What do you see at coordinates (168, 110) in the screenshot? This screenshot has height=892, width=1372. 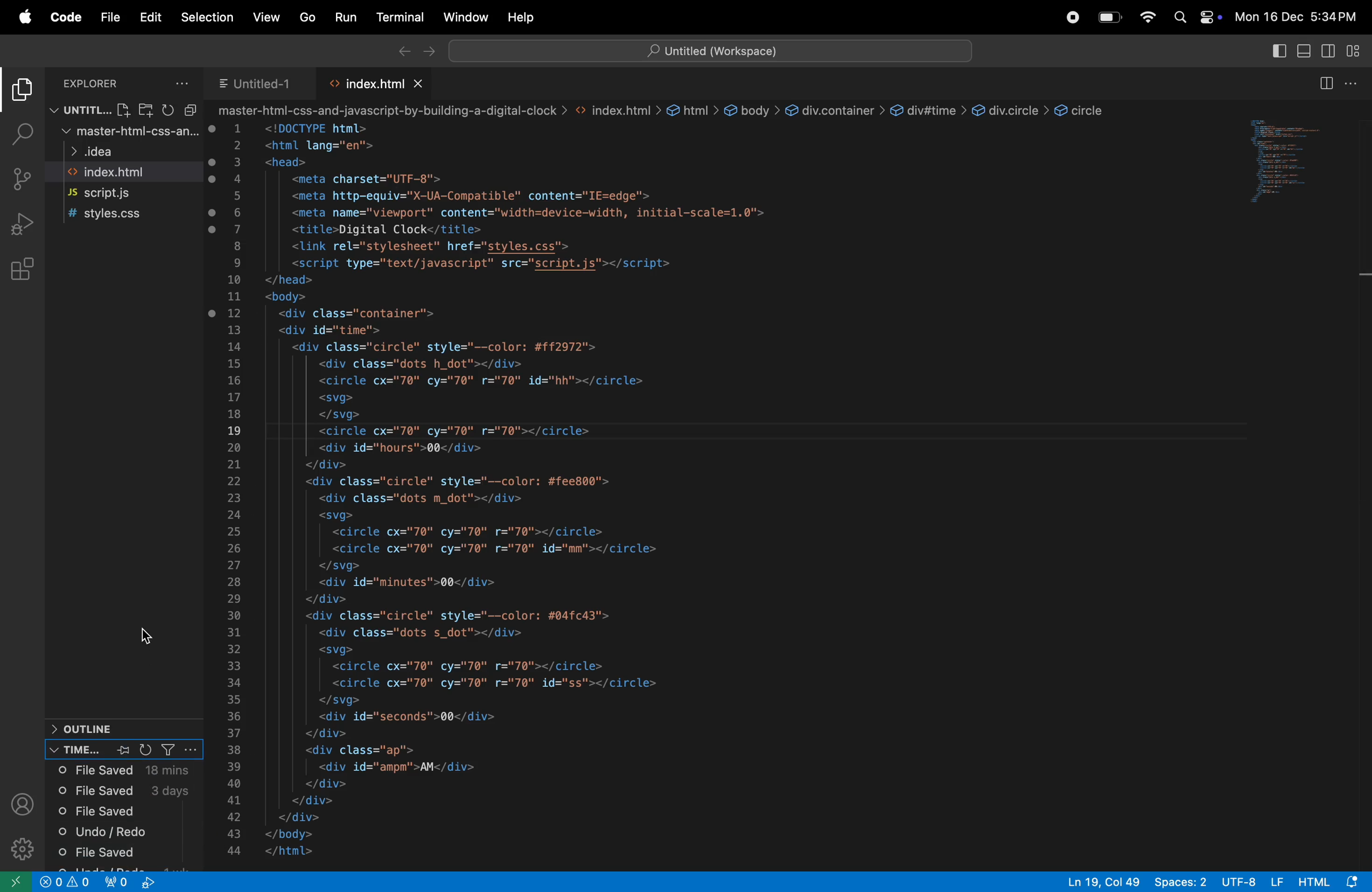 I see `Refresh` at bounding box center [168, 110].